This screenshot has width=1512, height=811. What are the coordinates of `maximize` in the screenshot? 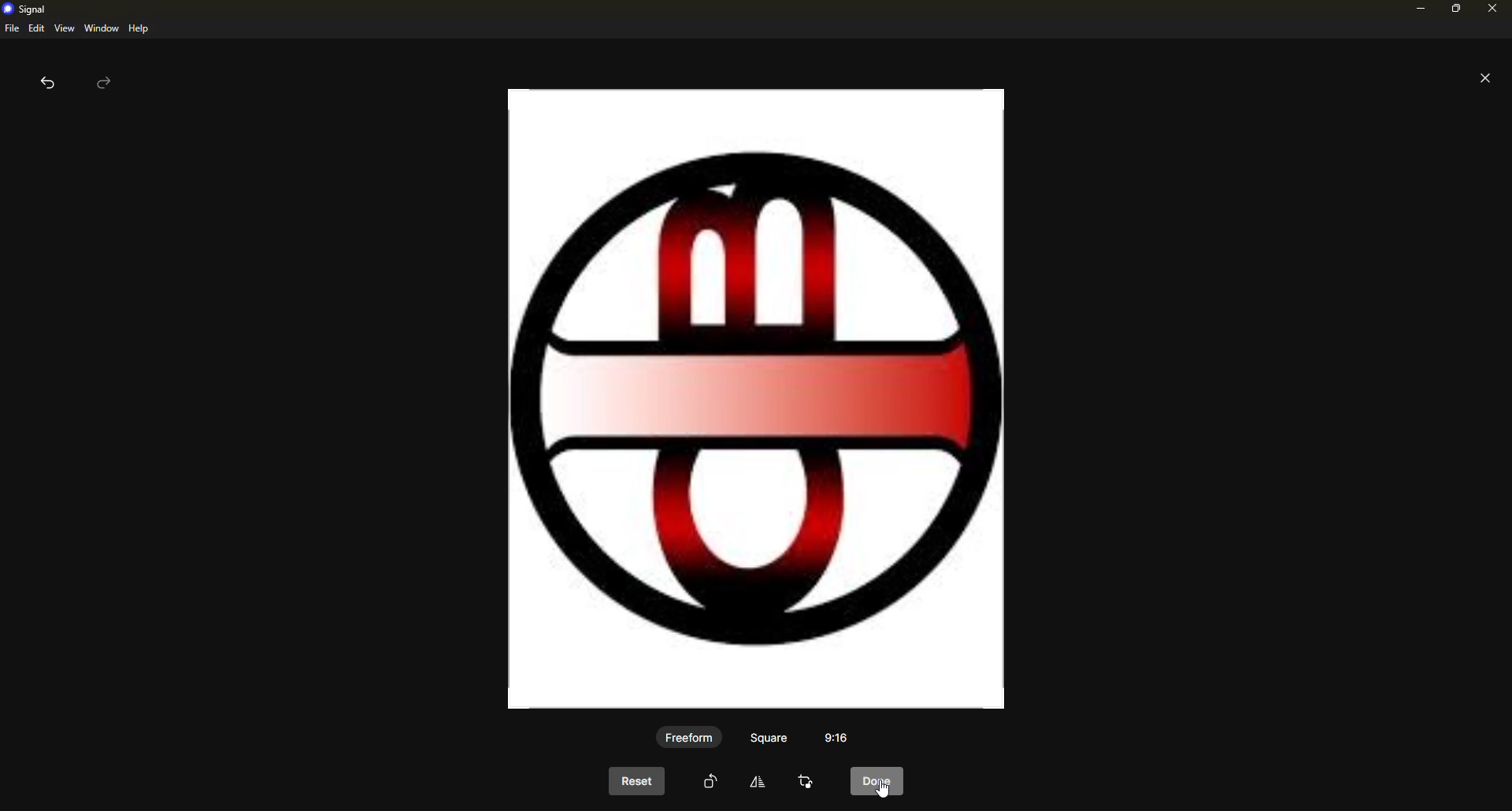 It's located at (1452, 8).